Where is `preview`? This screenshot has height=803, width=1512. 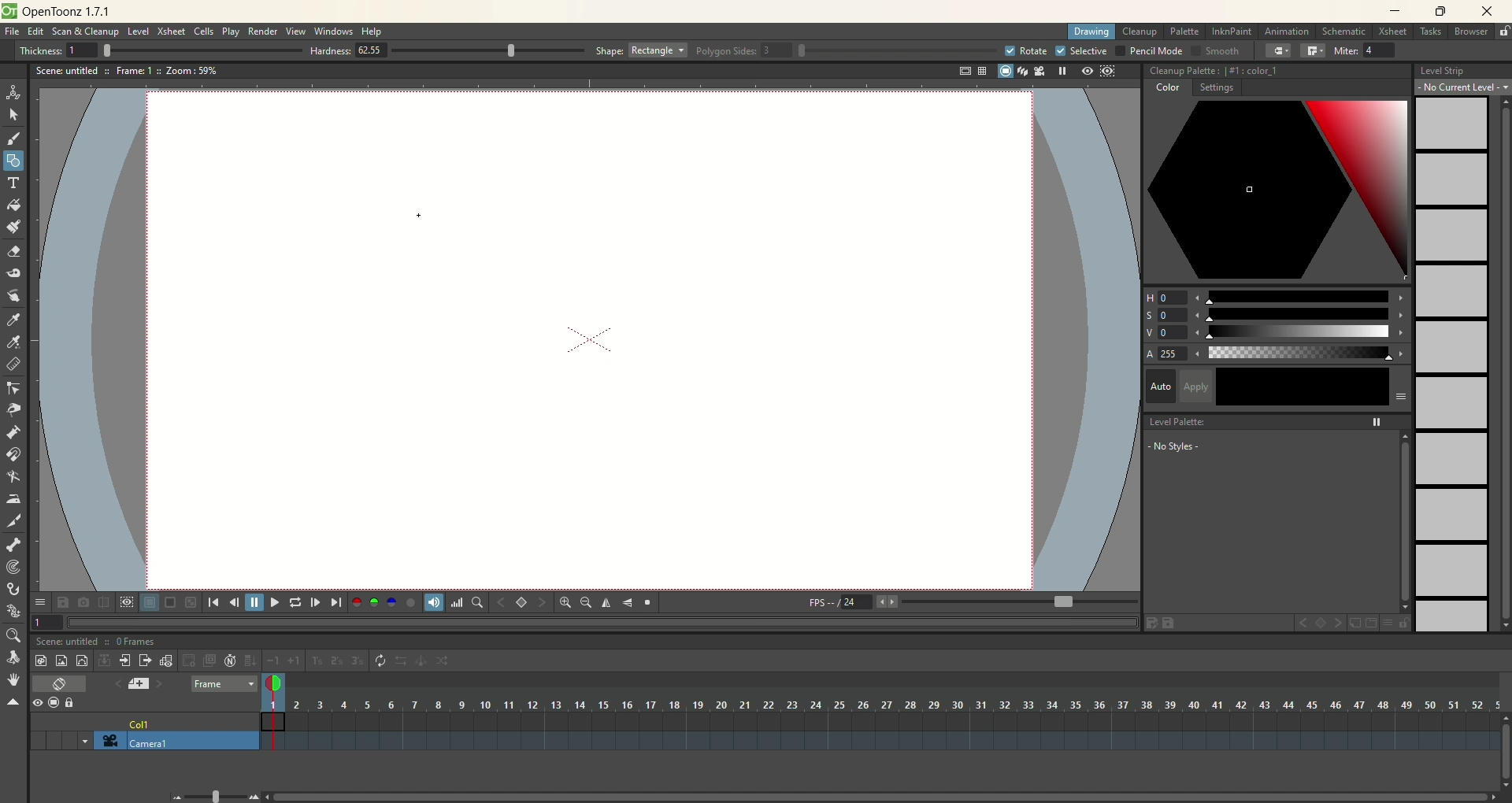
preview is located at coordinates (1084, 72).